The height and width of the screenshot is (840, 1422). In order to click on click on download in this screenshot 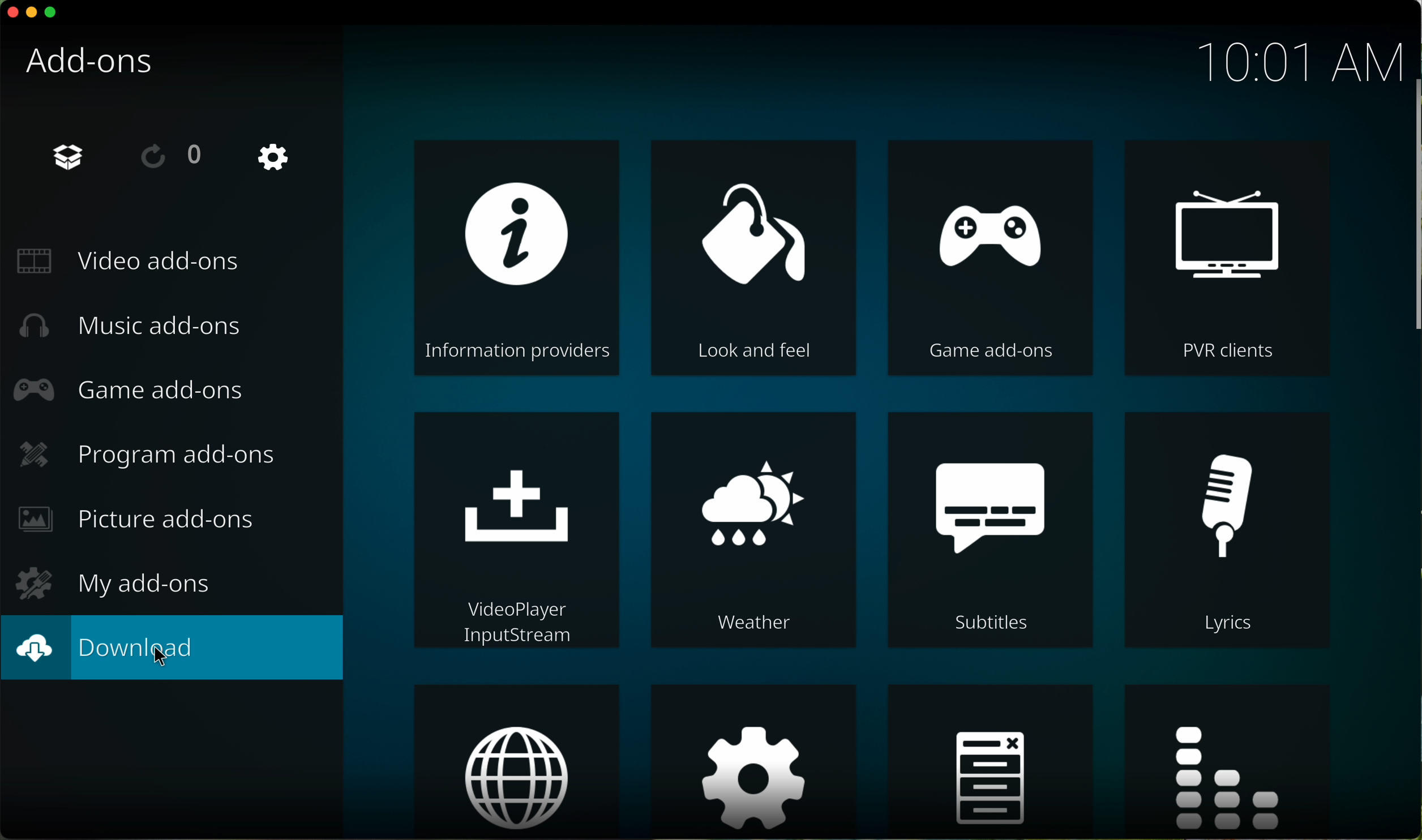, I will do `click(174, 648)`.